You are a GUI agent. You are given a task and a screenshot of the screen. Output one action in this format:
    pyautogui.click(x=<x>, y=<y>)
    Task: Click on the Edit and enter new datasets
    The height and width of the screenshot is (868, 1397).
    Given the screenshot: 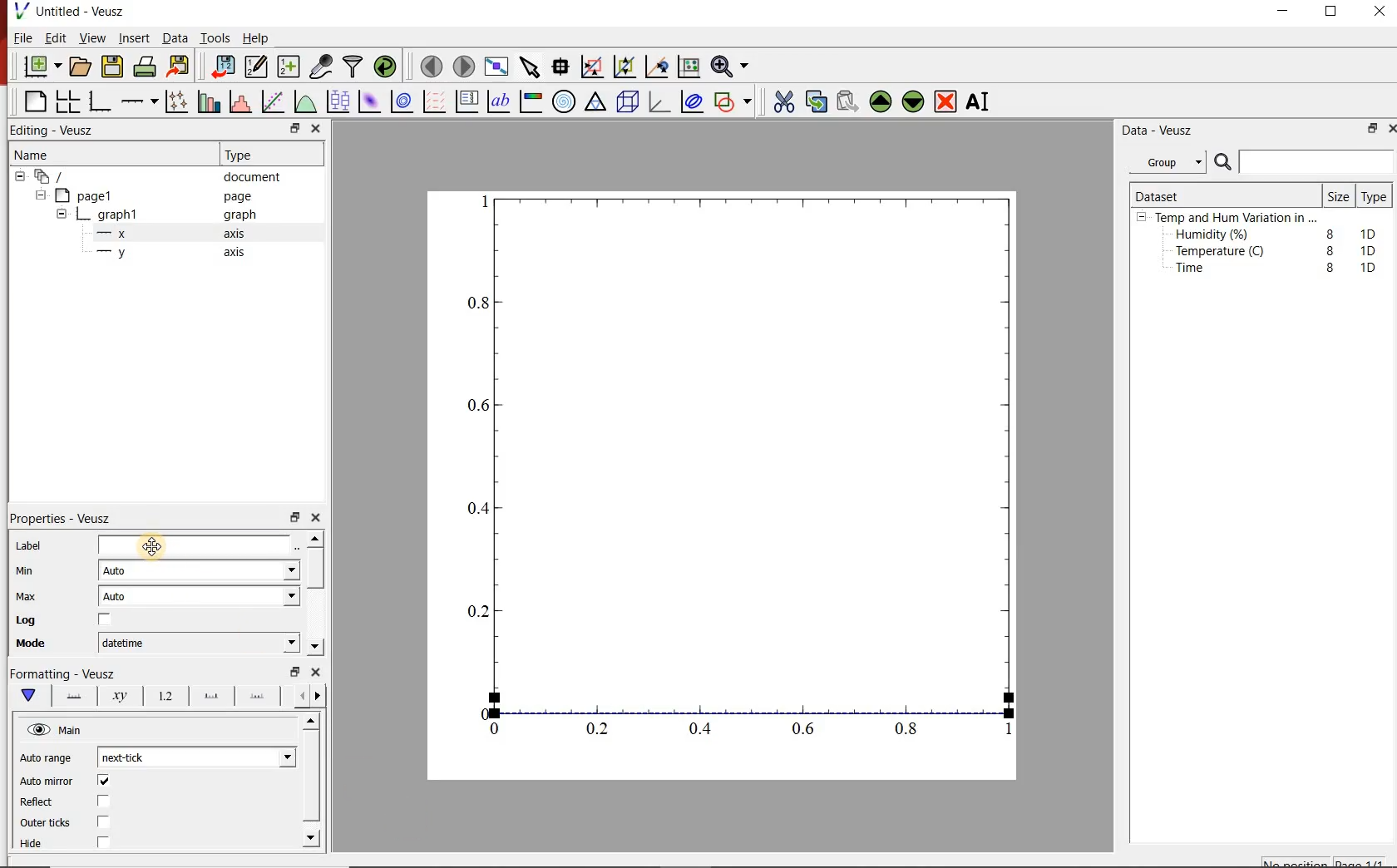 What is the action you would take?
    pyautogui.click(x=257, y=67)
    